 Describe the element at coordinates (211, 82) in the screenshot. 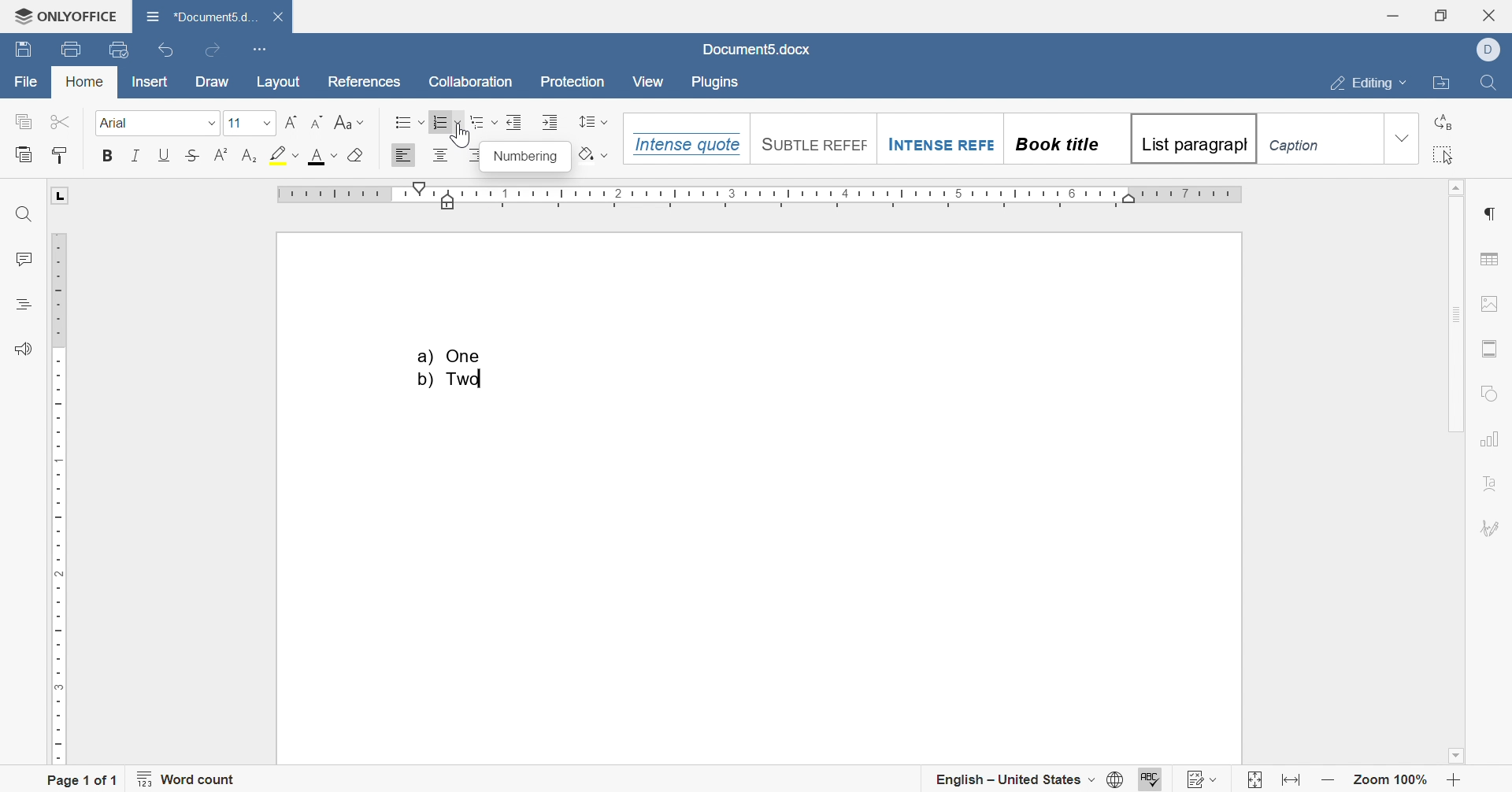

I see `draw` at that location.